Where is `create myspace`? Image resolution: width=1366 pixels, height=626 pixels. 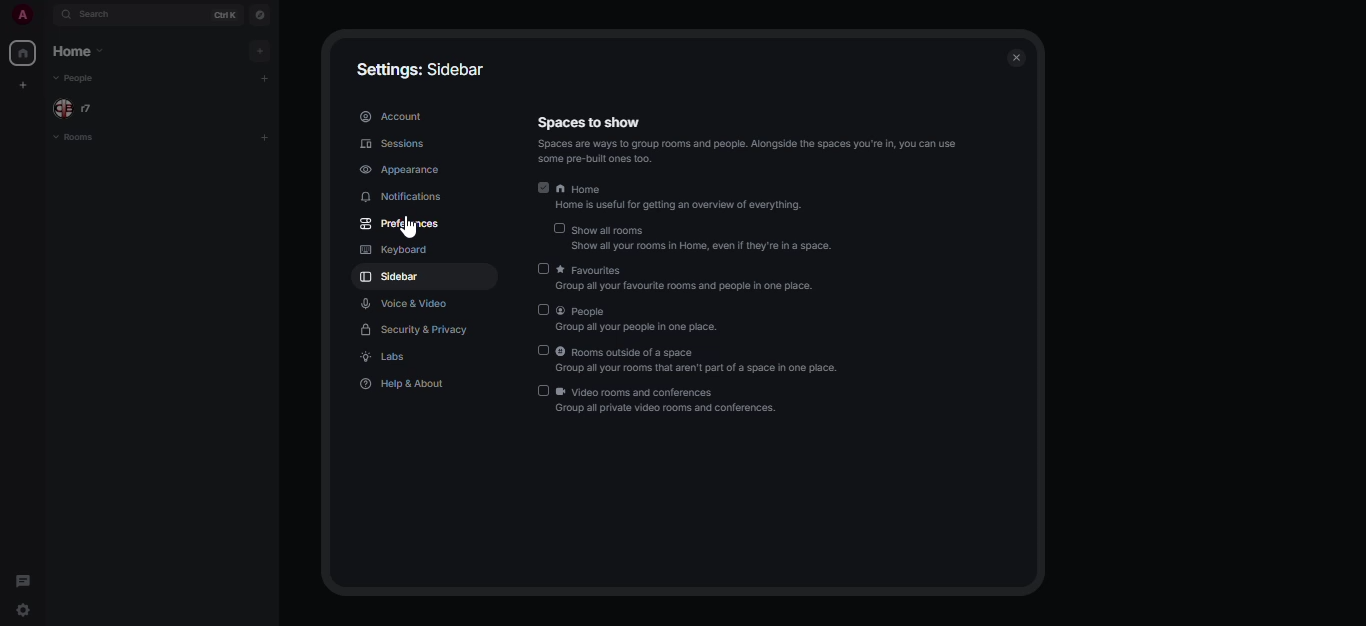 create myspace is located at coordinates (22, 83).